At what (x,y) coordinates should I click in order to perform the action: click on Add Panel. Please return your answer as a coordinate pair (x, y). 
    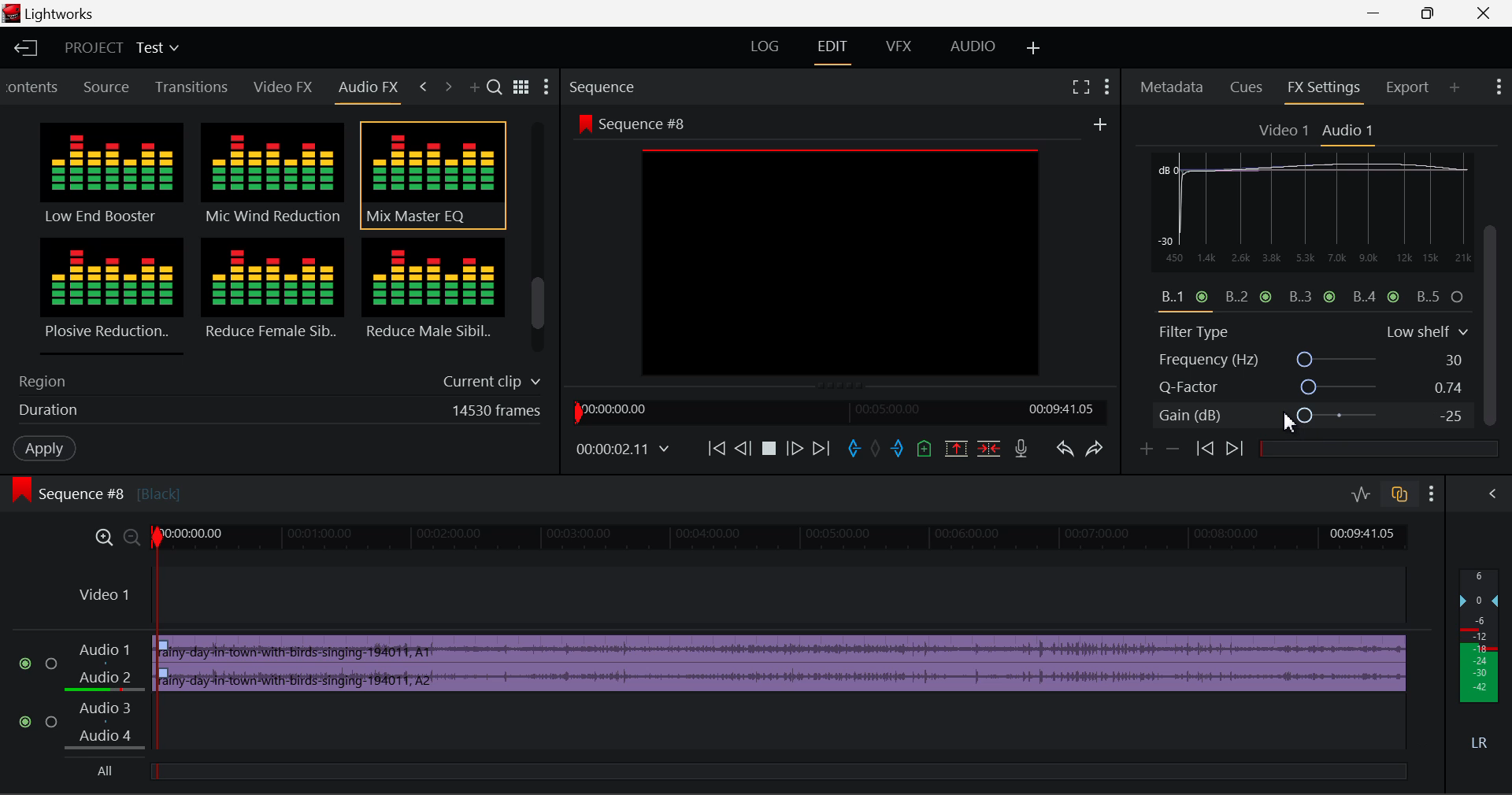
    Looking at the image, I should click on (1455, 89).